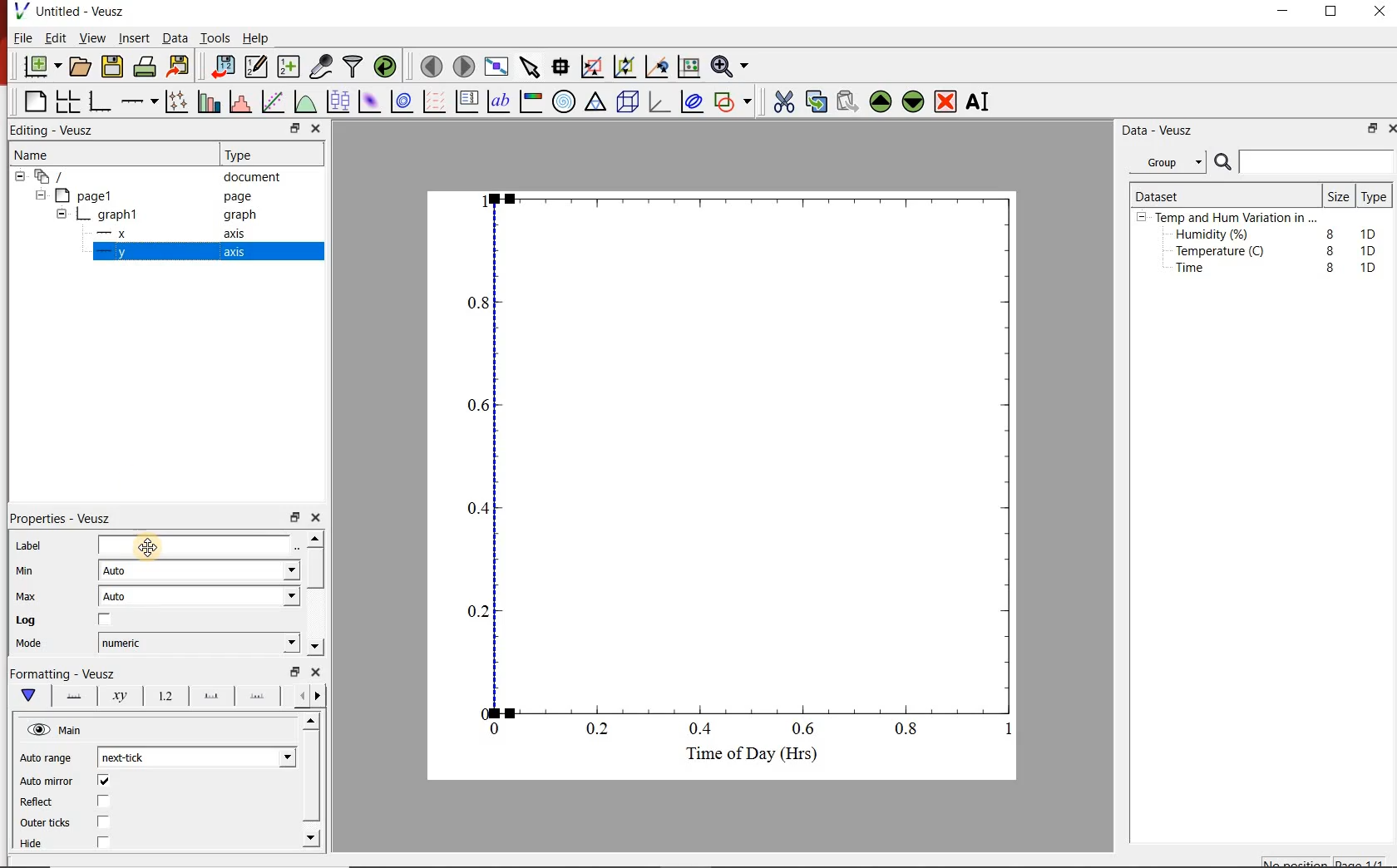  Describe the element at coordinates (1373, 250) in the screenshot. I see `1D` at that location.